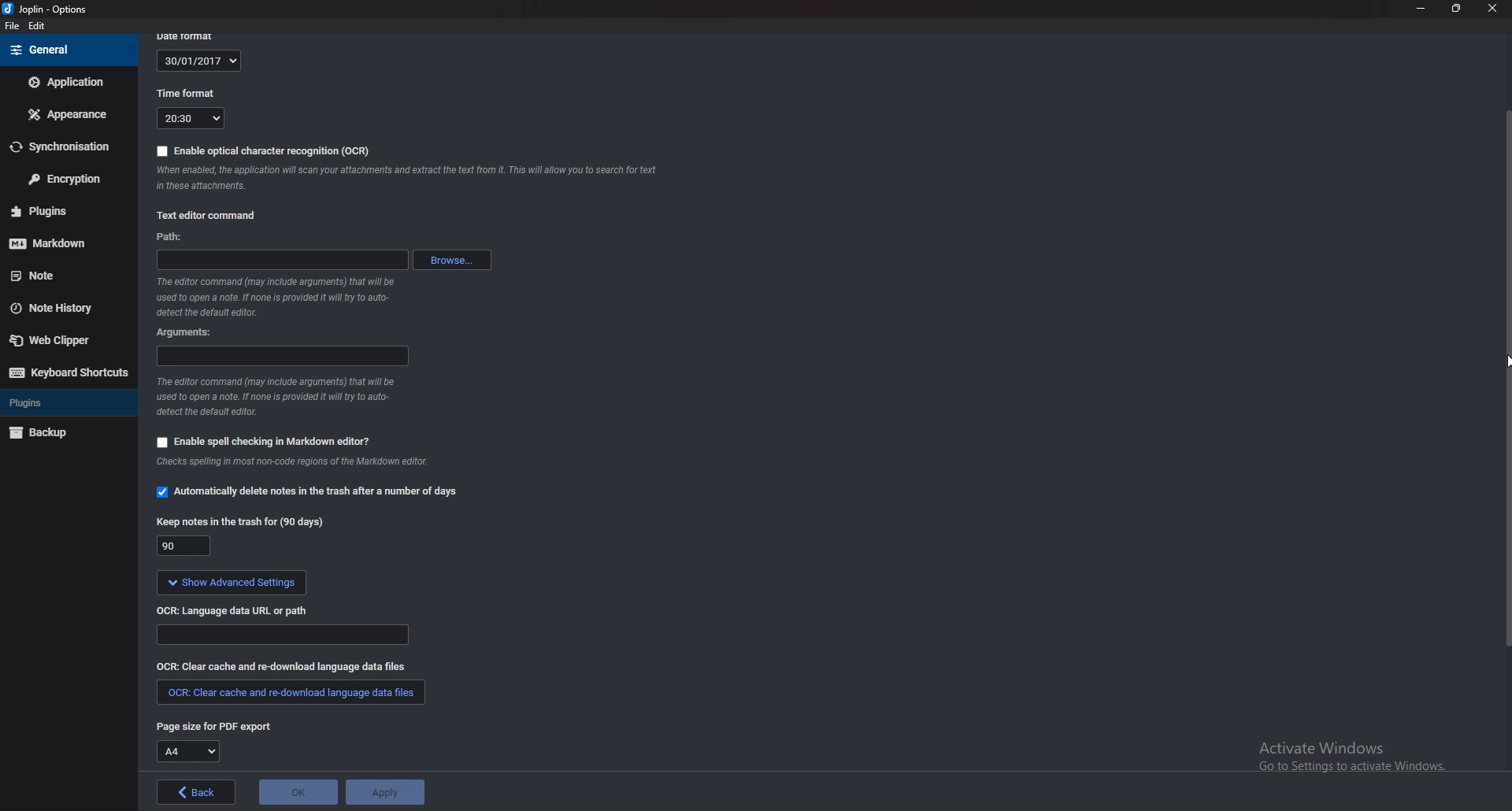  What do you see at coordinates (62, 432) in the screenshot?
I see `Back up` at bounding box center [62, 432].